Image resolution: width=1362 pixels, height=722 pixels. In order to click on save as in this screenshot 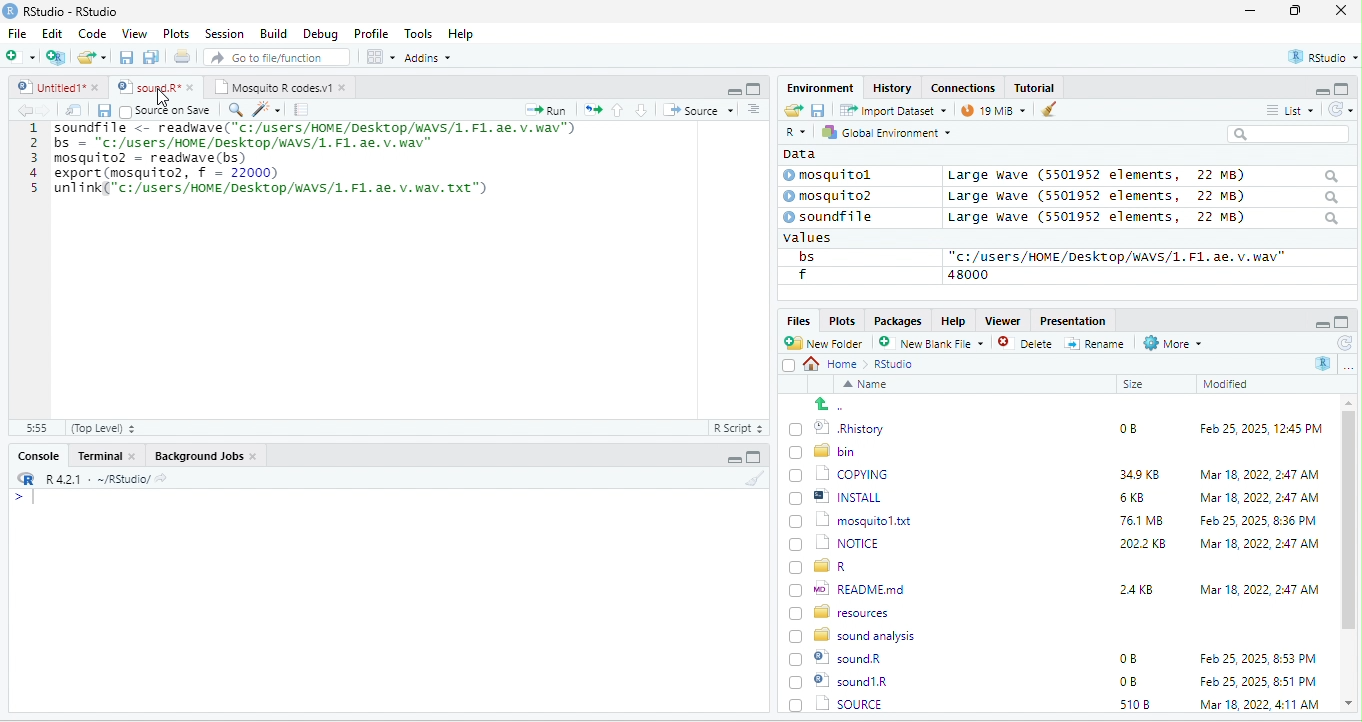, I will do `click(153, 58)`.